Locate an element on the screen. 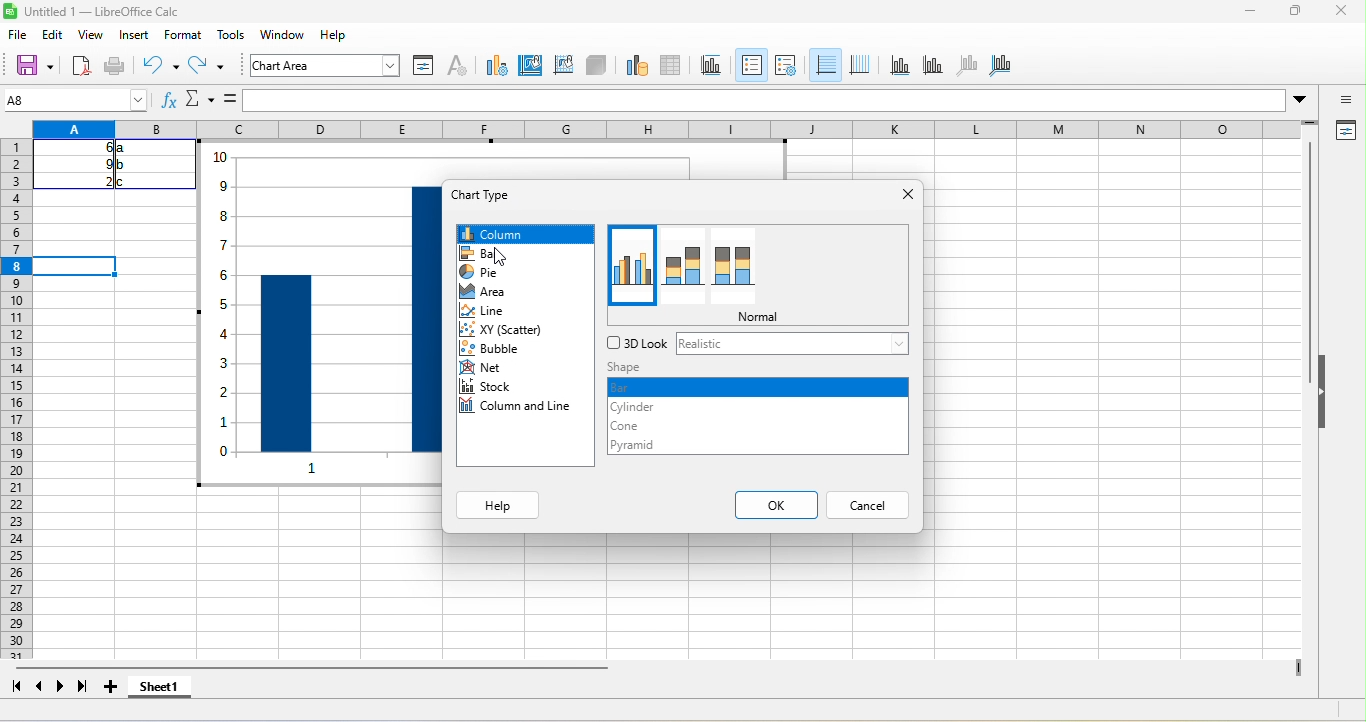 The height and width of the screenshot is (722, 1366). name box is located at coordinates (199, 101).